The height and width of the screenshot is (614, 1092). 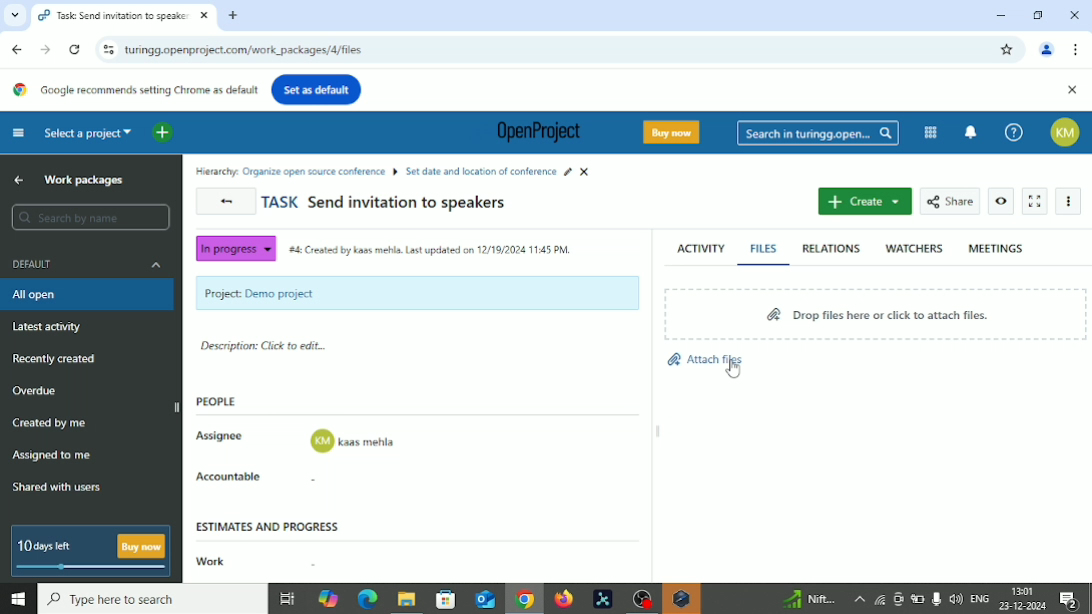 What do you see at coordinates (266, 348) in the screenshot?
I see `Description` at bounding box center [266, 348].